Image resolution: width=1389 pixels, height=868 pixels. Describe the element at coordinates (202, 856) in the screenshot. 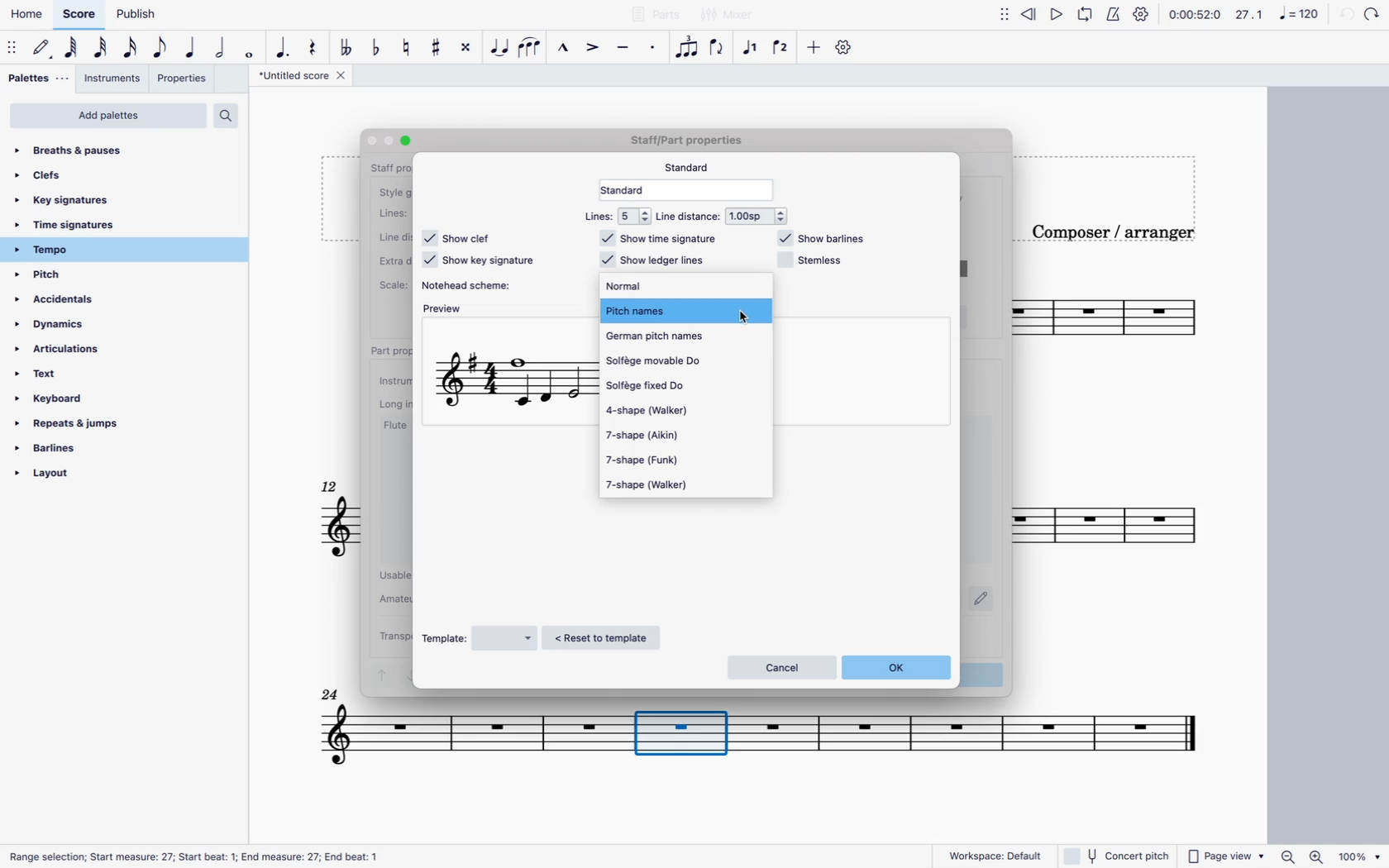

I see `` at that location.